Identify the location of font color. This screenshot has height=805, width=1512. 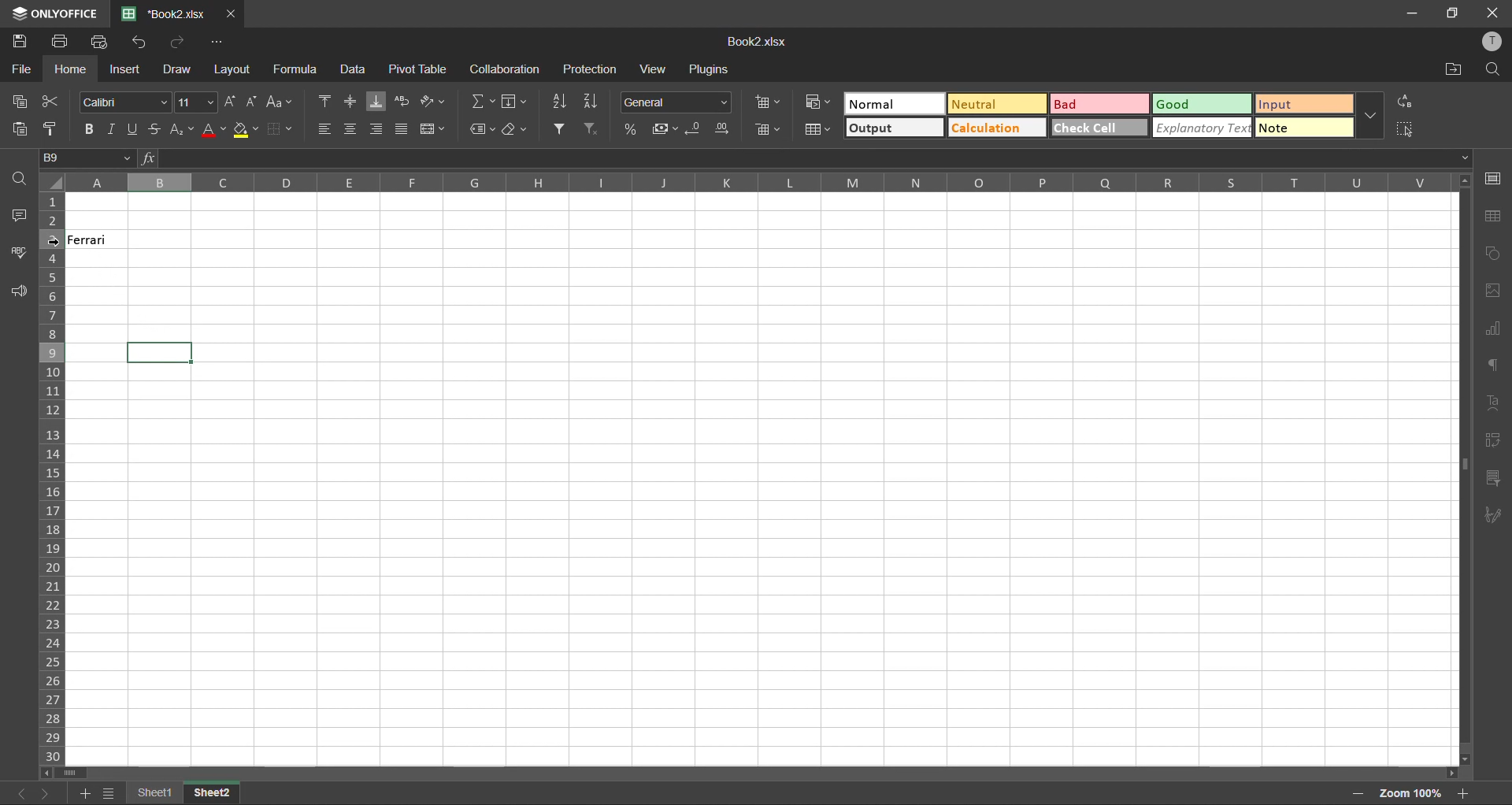
(214, 129).